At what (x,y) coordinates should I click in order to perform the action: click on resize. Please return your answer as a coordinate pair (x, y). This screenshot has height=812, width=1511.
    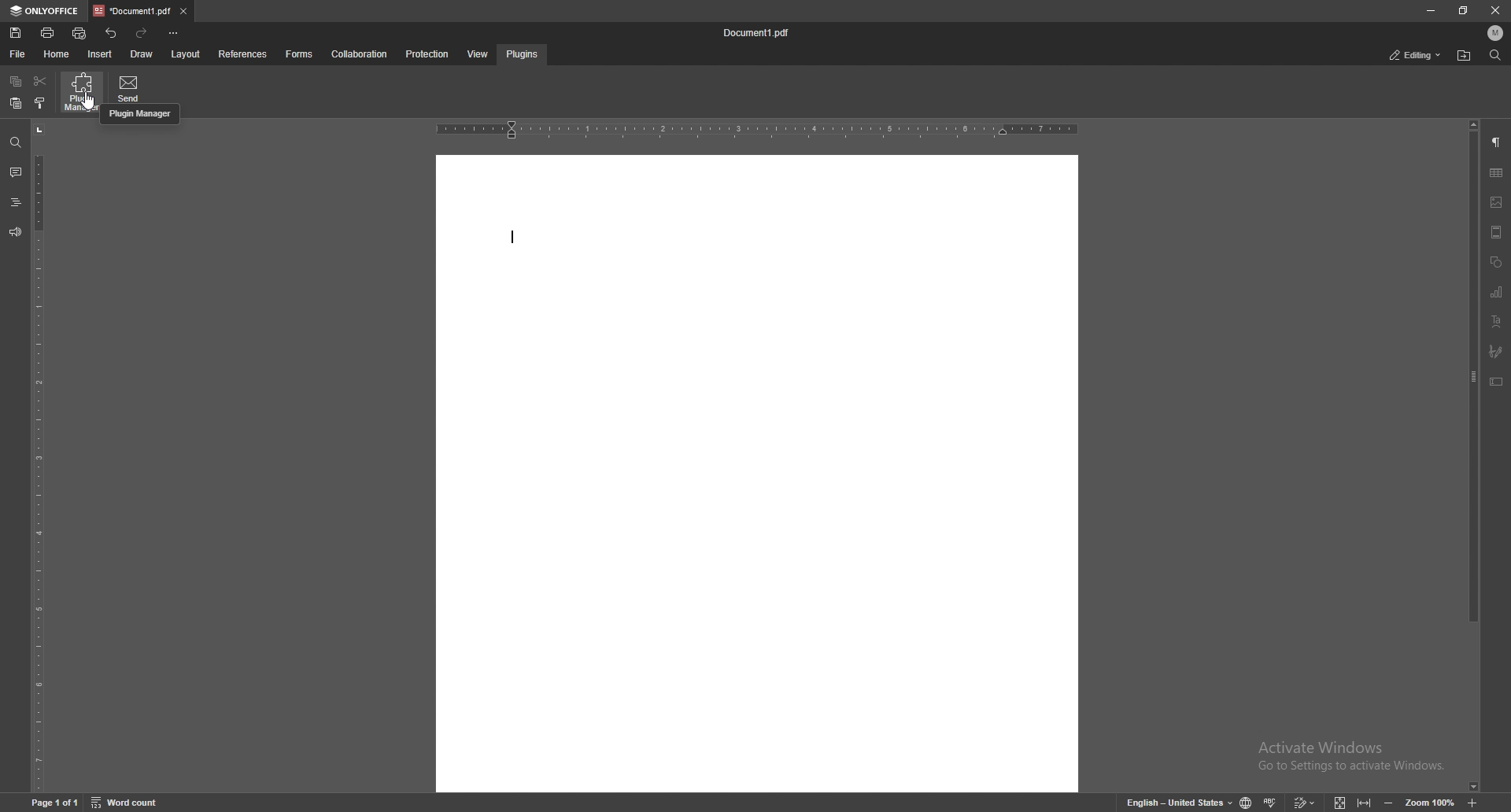
    Looking at the image, I should click on (1463, 10).